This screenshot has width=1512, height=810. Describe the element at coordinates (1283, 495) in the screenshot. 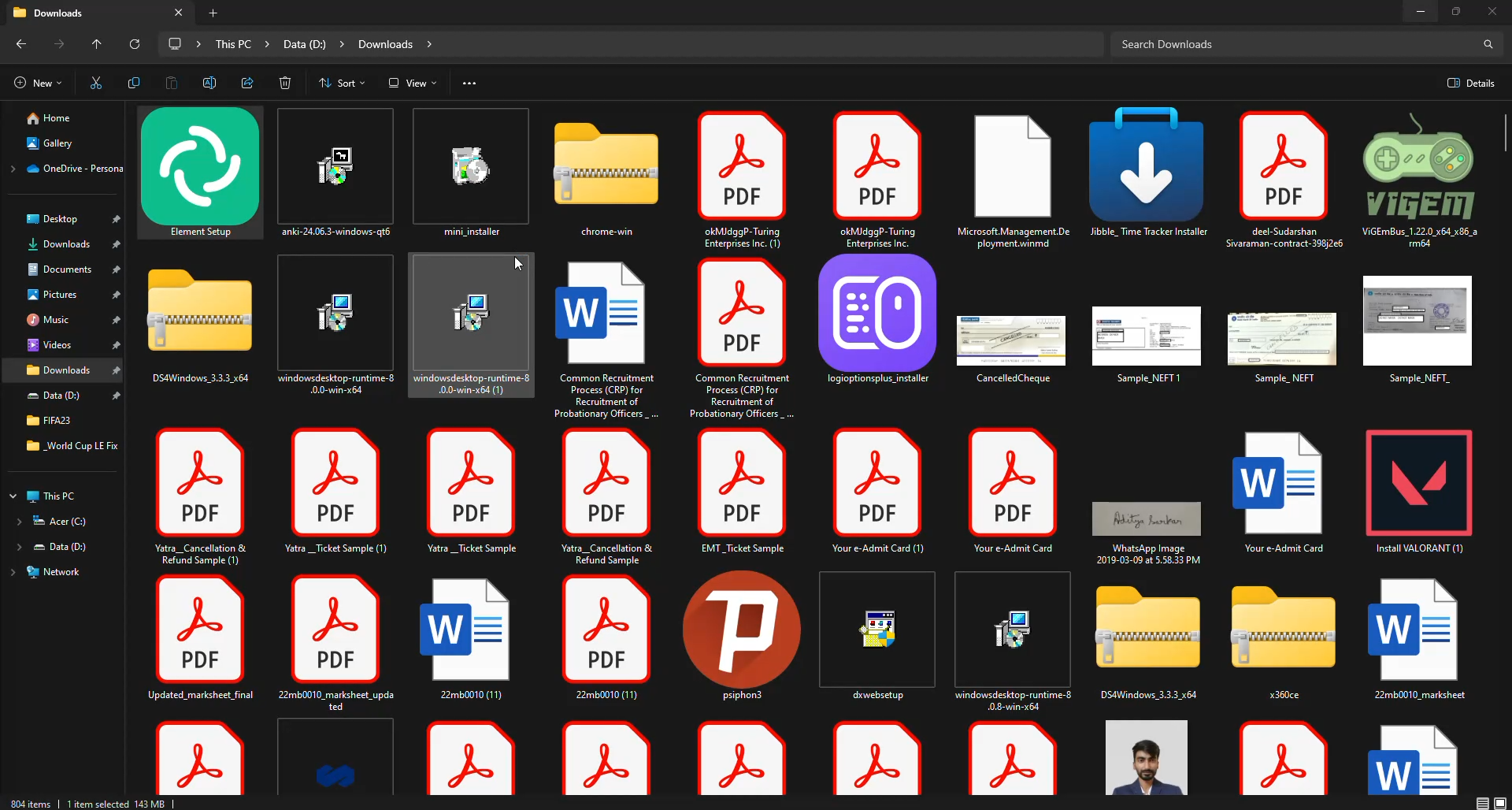

I see `word file` at that location.